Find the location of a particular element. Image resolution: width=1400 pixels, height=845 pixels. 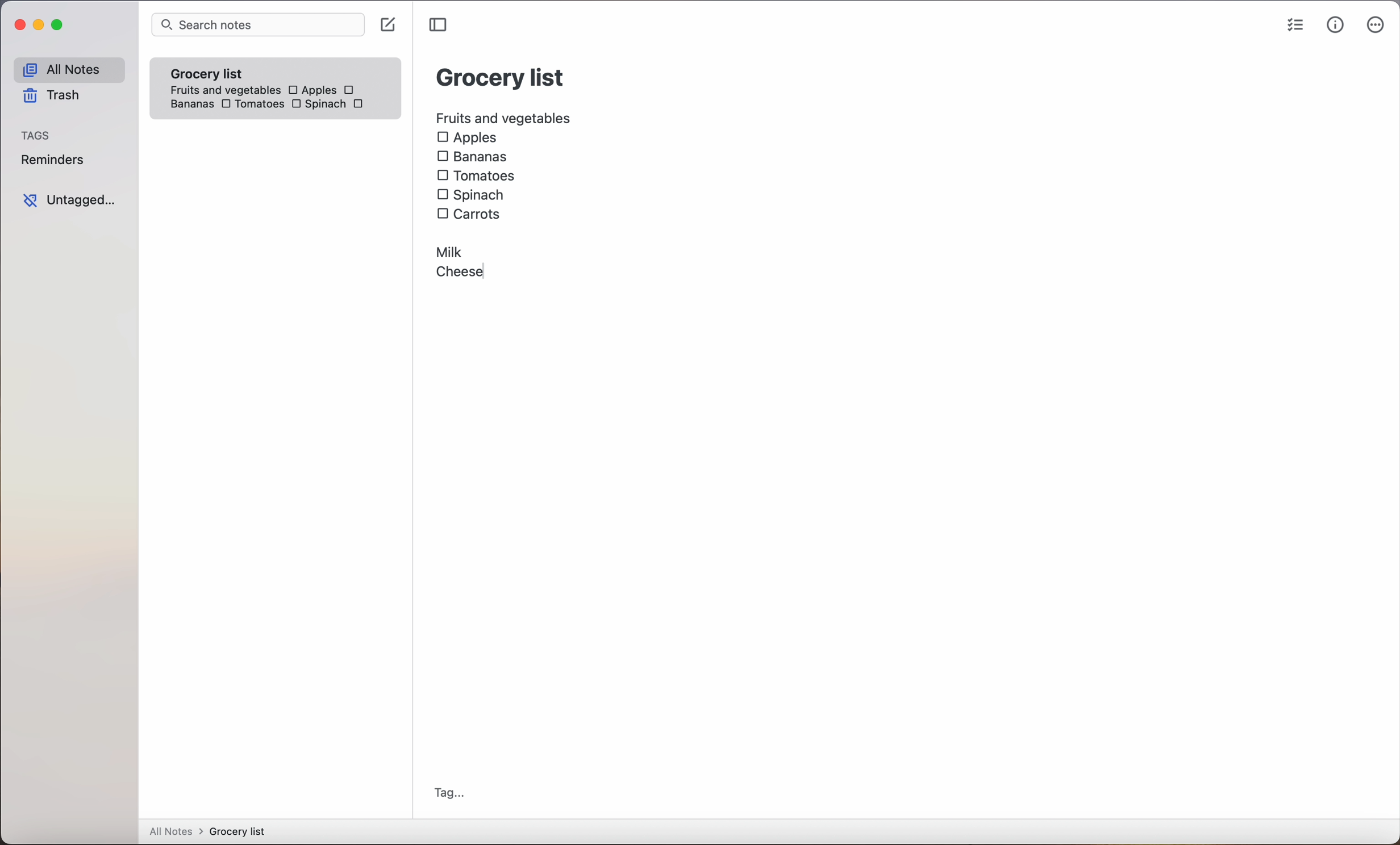

bananas is located at coordinates (190, 104).